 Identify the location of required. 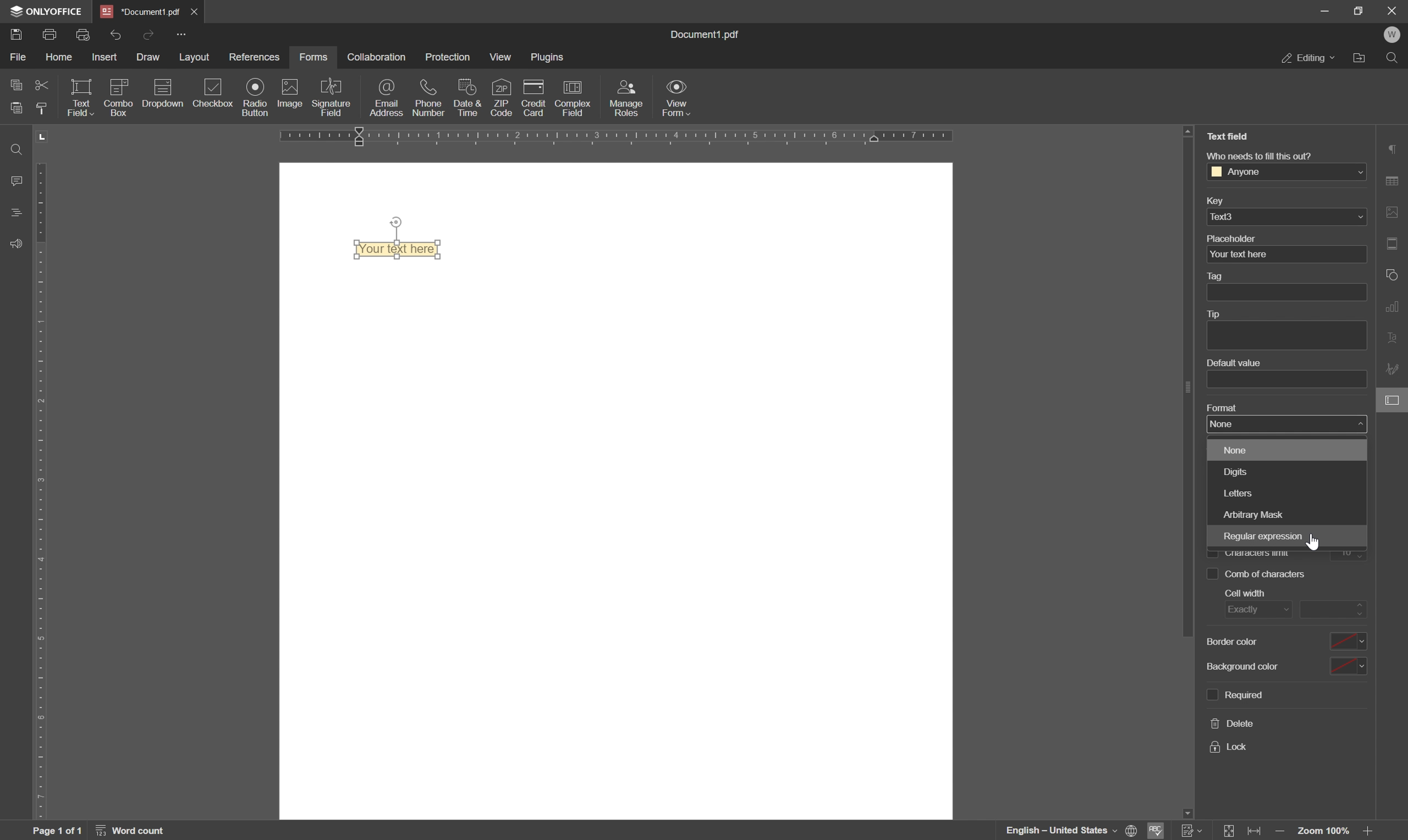
(1244, 693).